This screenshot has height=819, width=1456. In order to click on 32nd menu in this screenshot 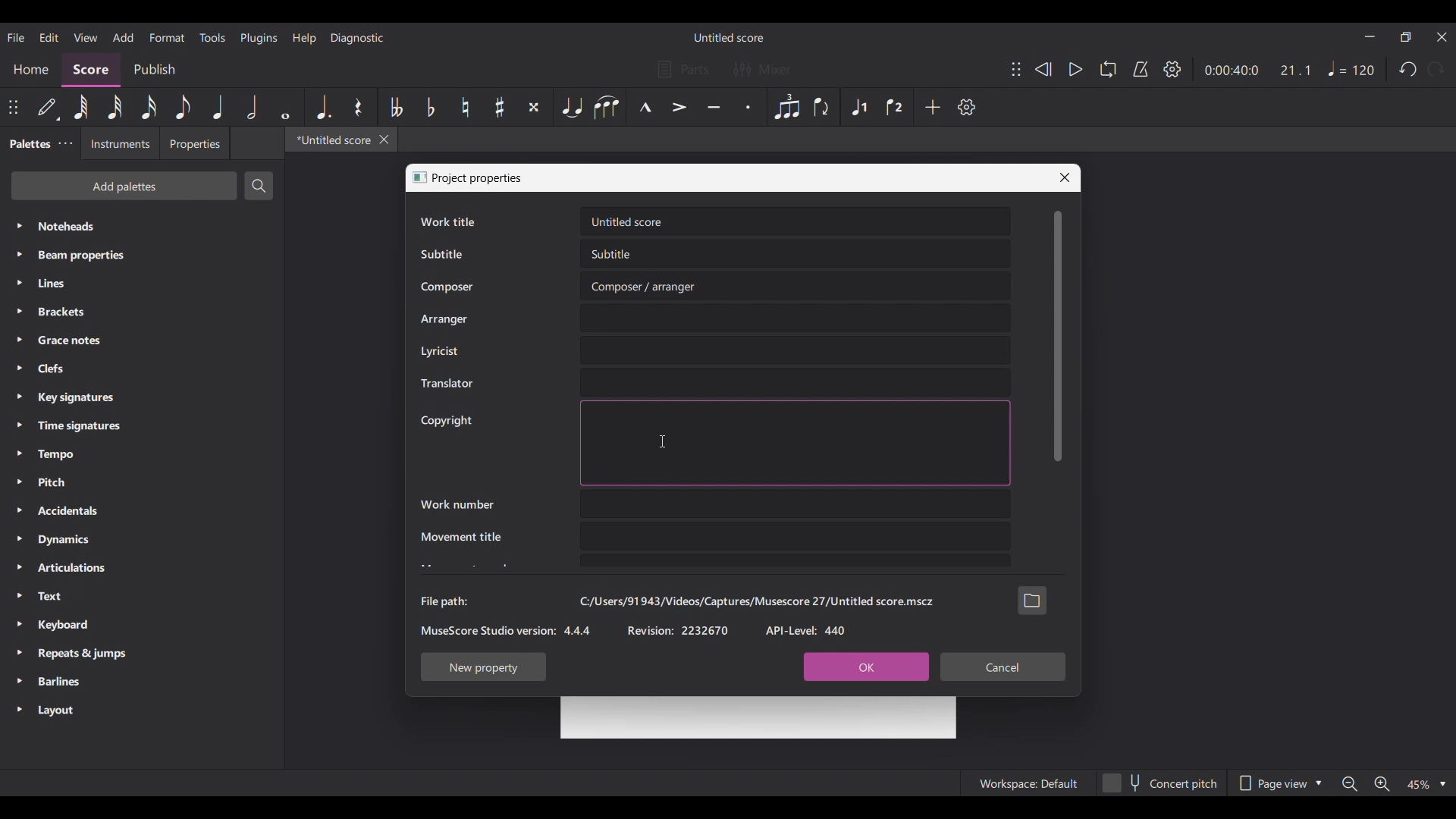, I will do `click(115, 107)`.